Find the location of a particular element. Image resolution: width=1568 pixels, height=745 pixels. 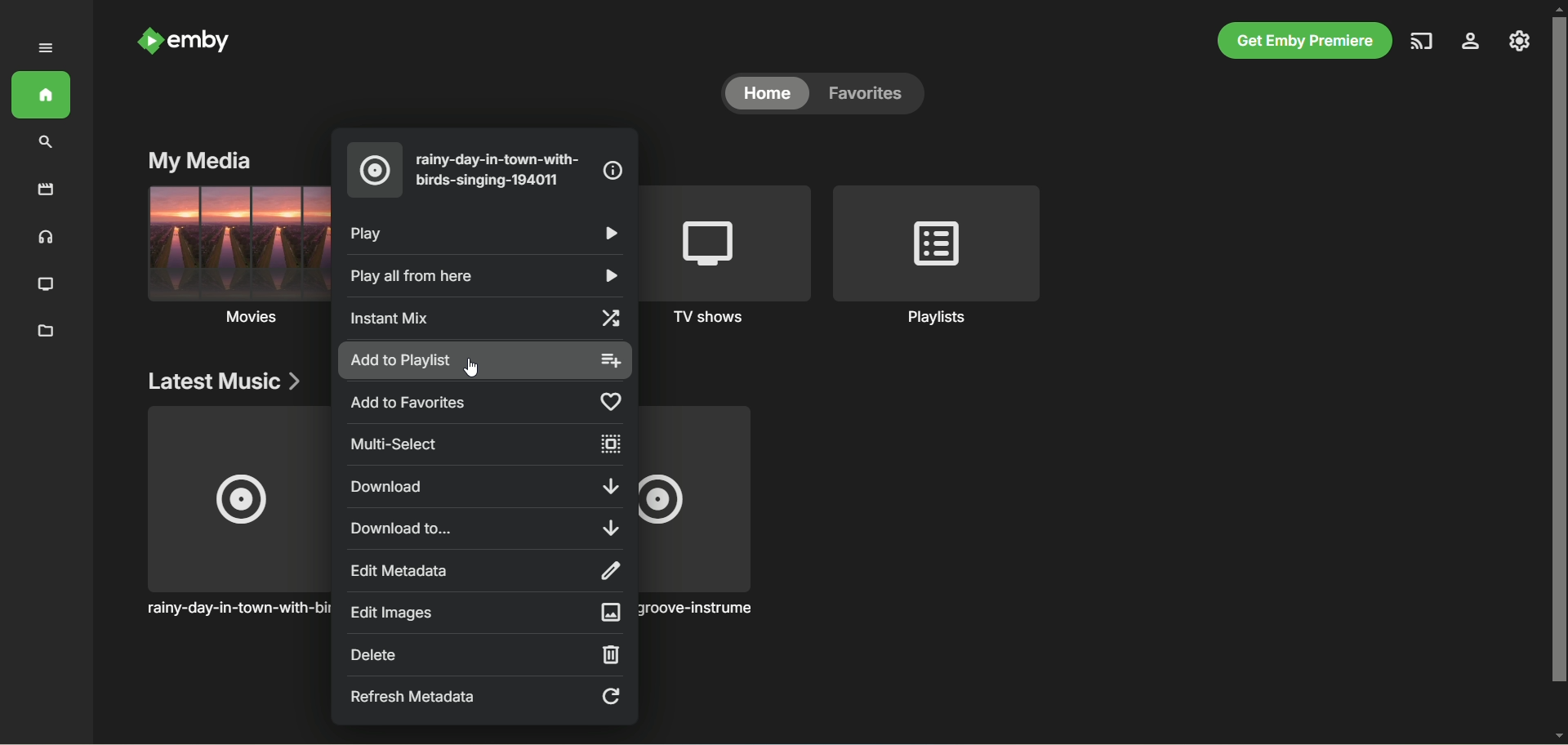

edit images is located at coordinates (483, 613).